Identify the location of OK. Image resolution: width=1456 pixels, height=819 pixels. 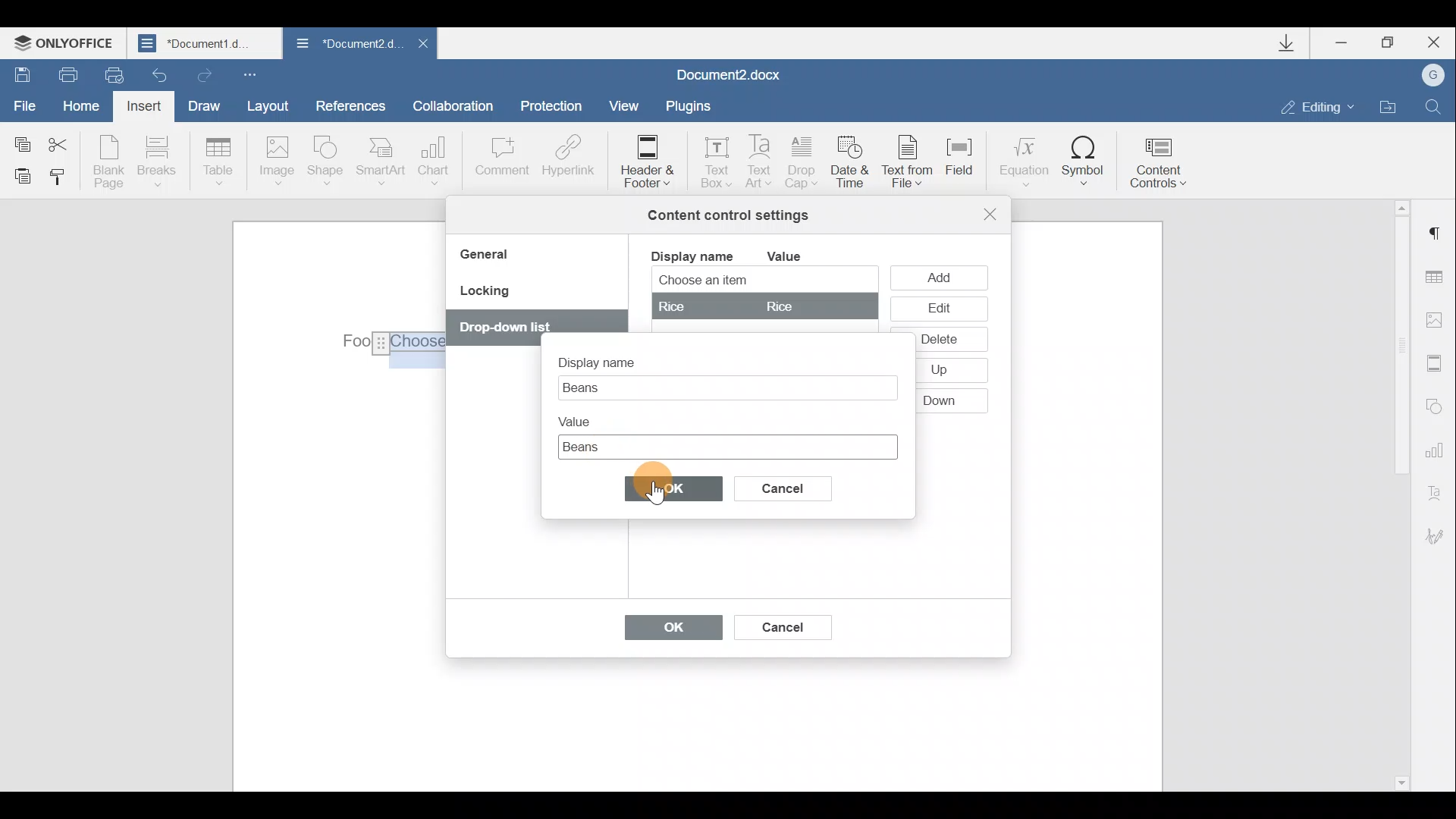
(674, 488).